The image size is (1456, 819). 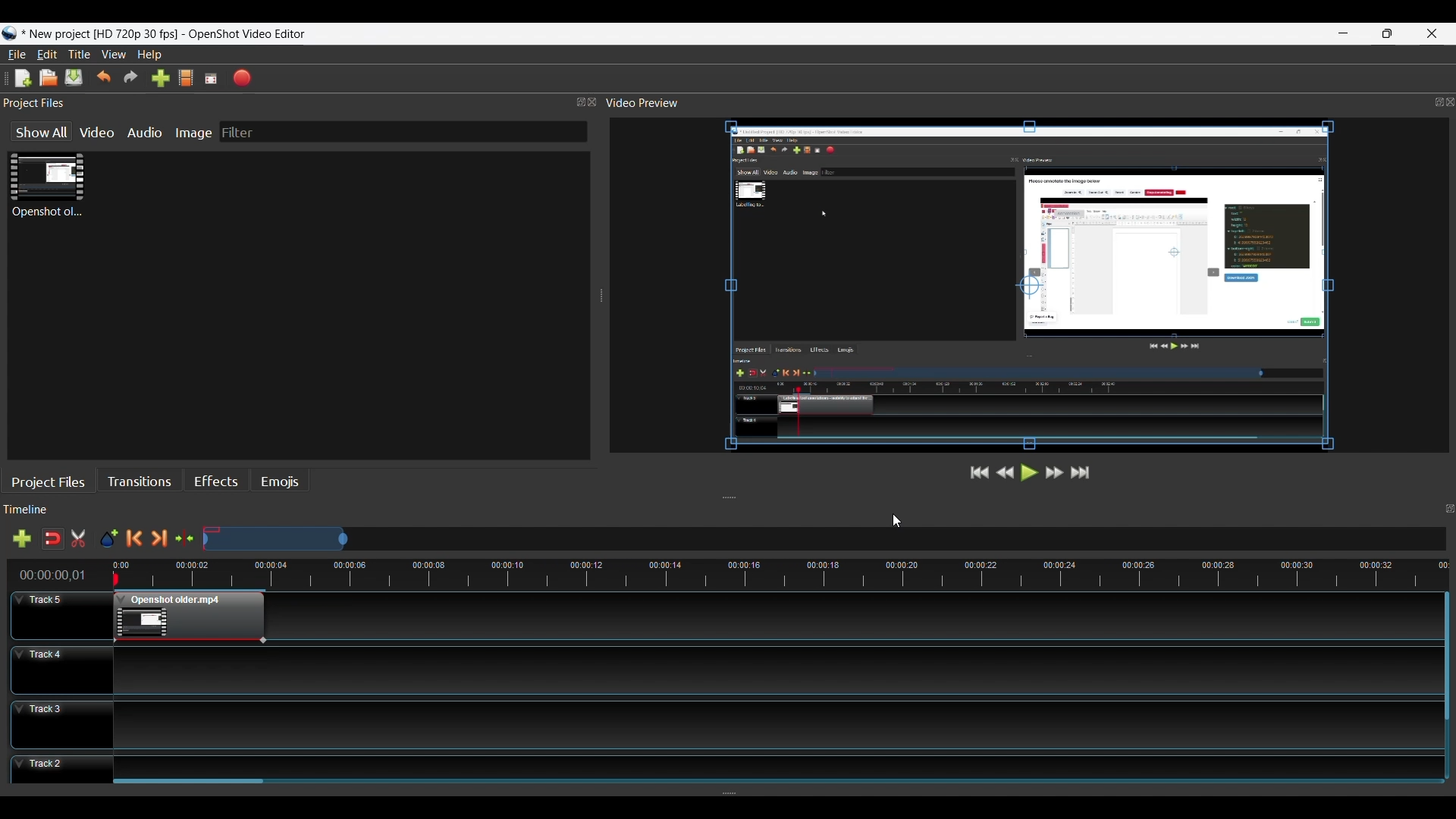 What do you see at coordinates (1052, 472) in the screenshot?
I see `Fast Forward` at bounding box center [1052, 472].